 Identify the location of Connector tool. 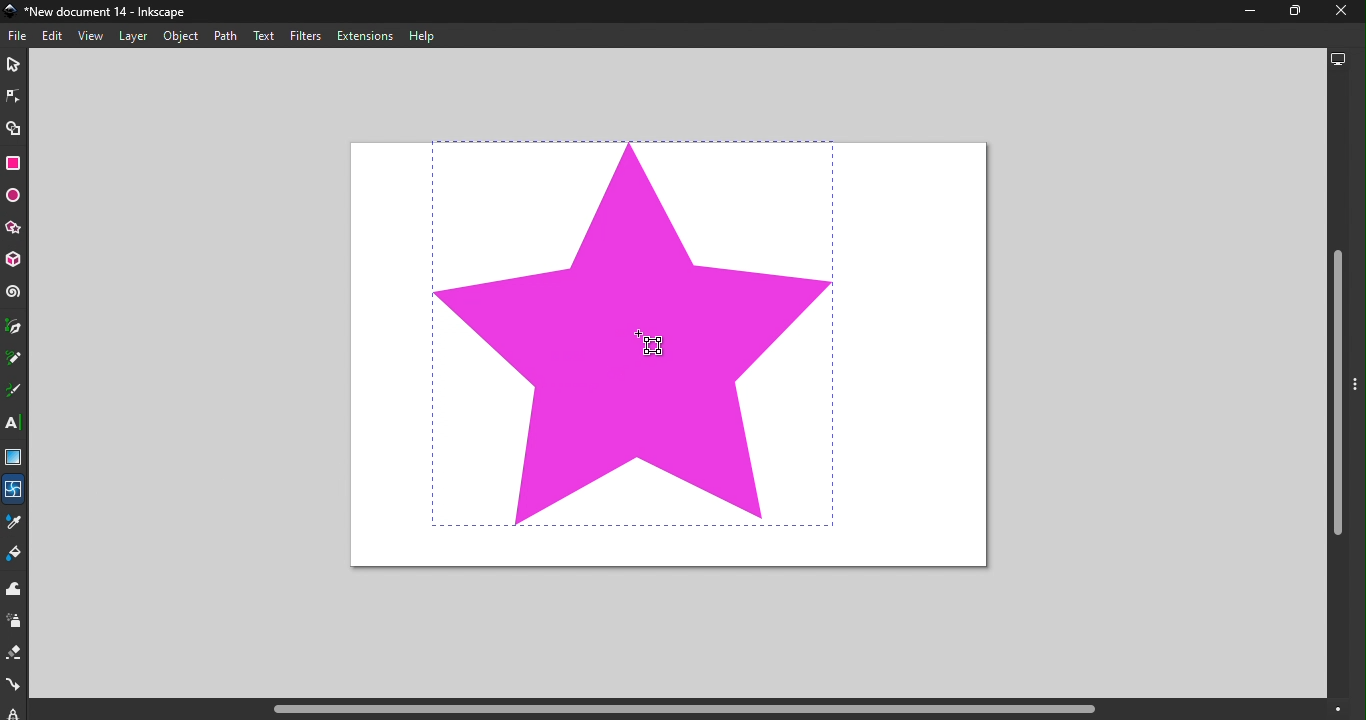
(15, 687).